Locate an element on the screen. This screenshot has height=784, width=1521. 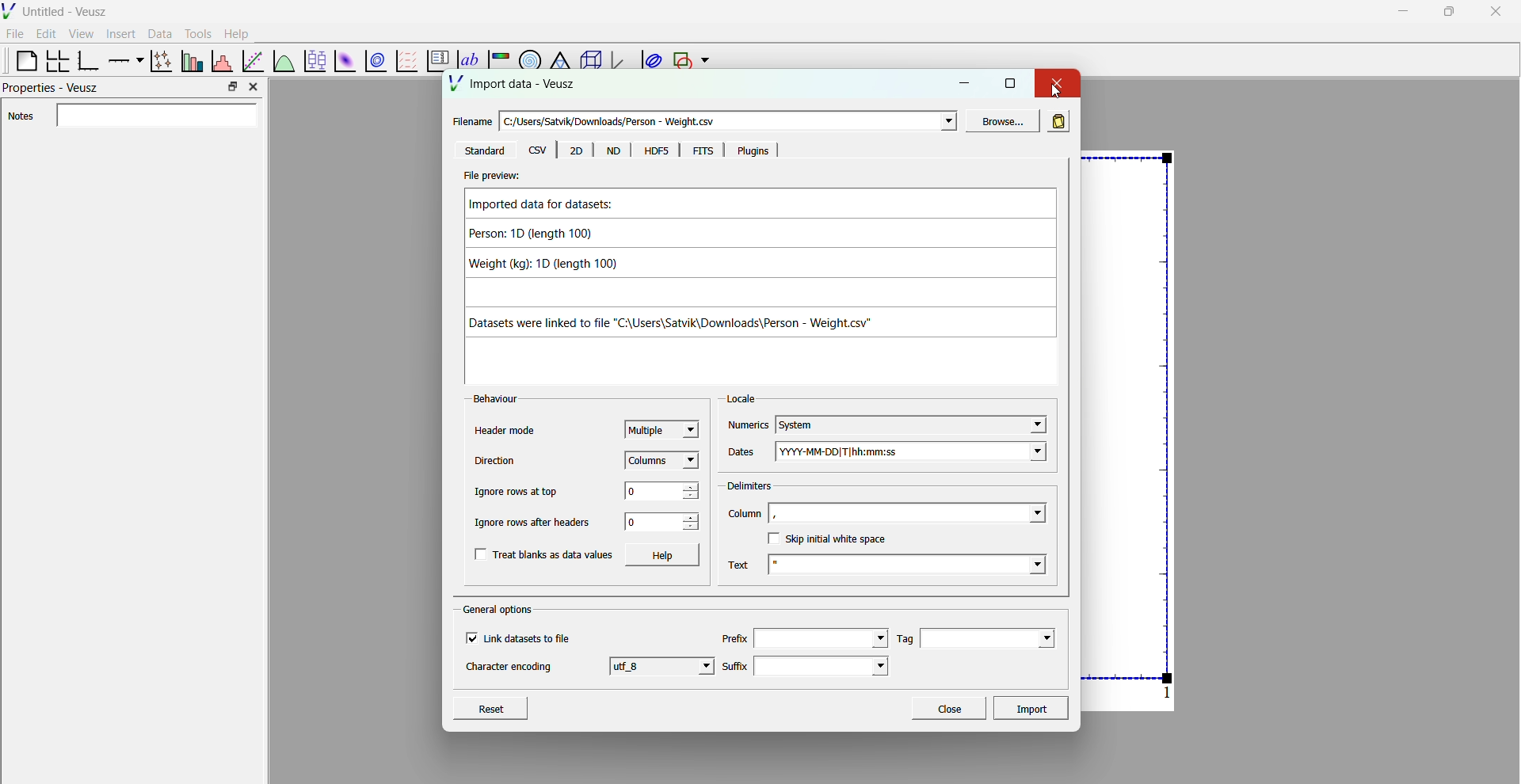
System - dropdown is located at coordinates (909, 418).